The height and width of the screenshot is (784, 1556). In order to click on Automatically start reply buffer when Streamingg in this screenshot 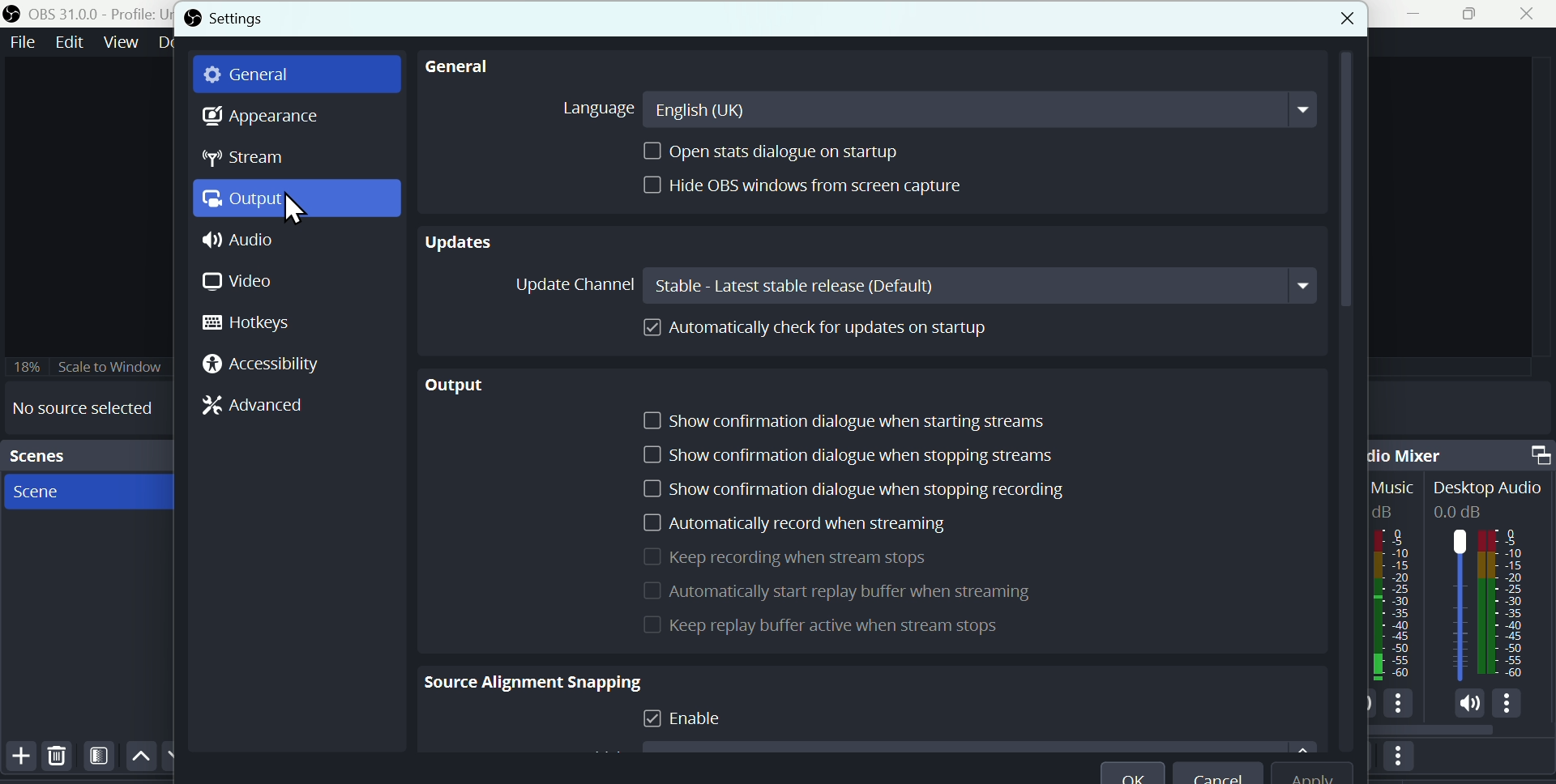, I will do `click(902, 594)`.